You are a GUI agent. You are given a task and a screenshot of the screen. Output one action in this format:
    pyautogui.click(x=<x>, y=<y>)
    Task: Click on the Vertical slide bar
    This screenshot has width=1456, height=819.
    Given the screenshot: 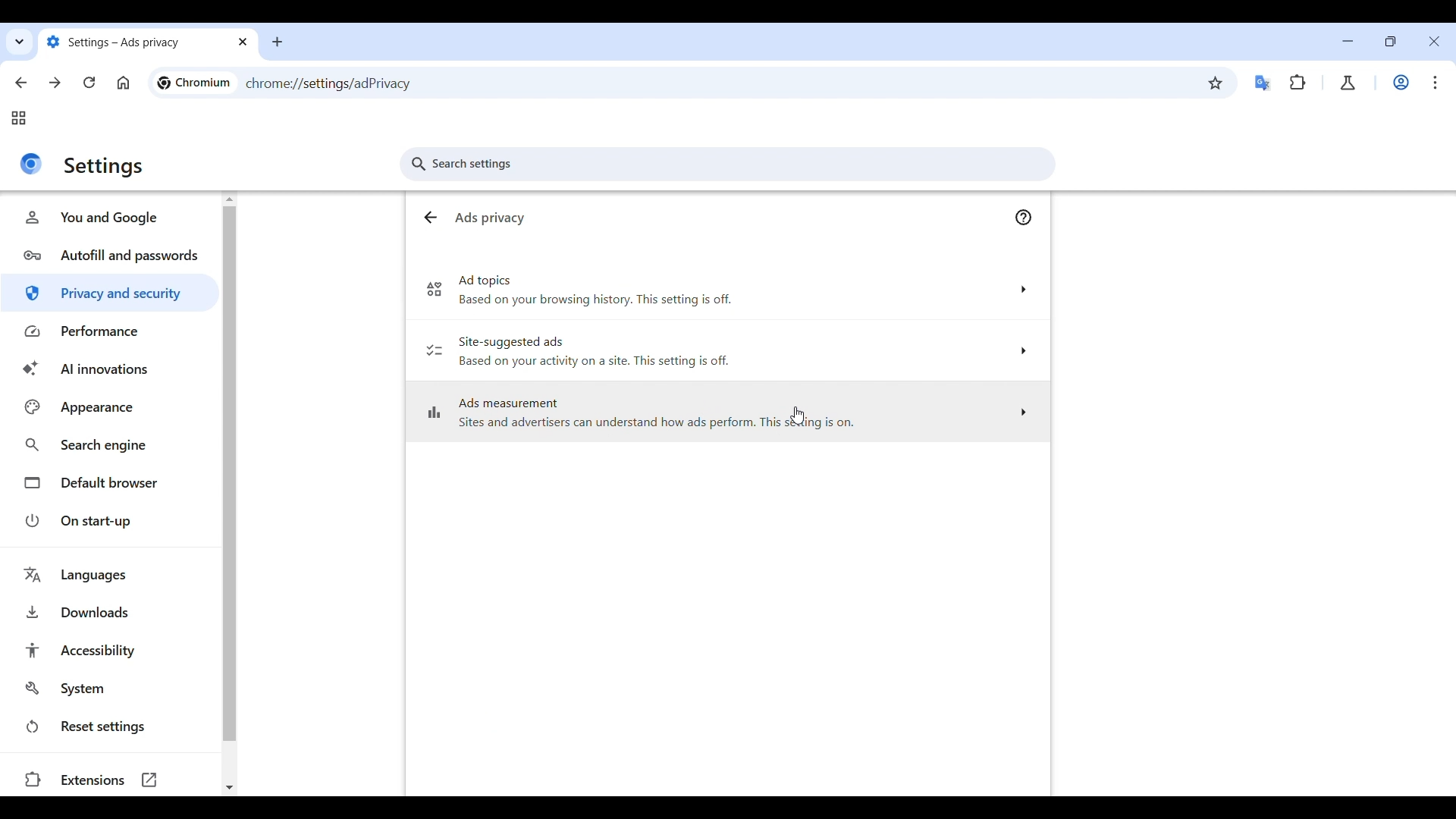 What is the action you would take?
    pyautogui.click(x=230, y=473)
    